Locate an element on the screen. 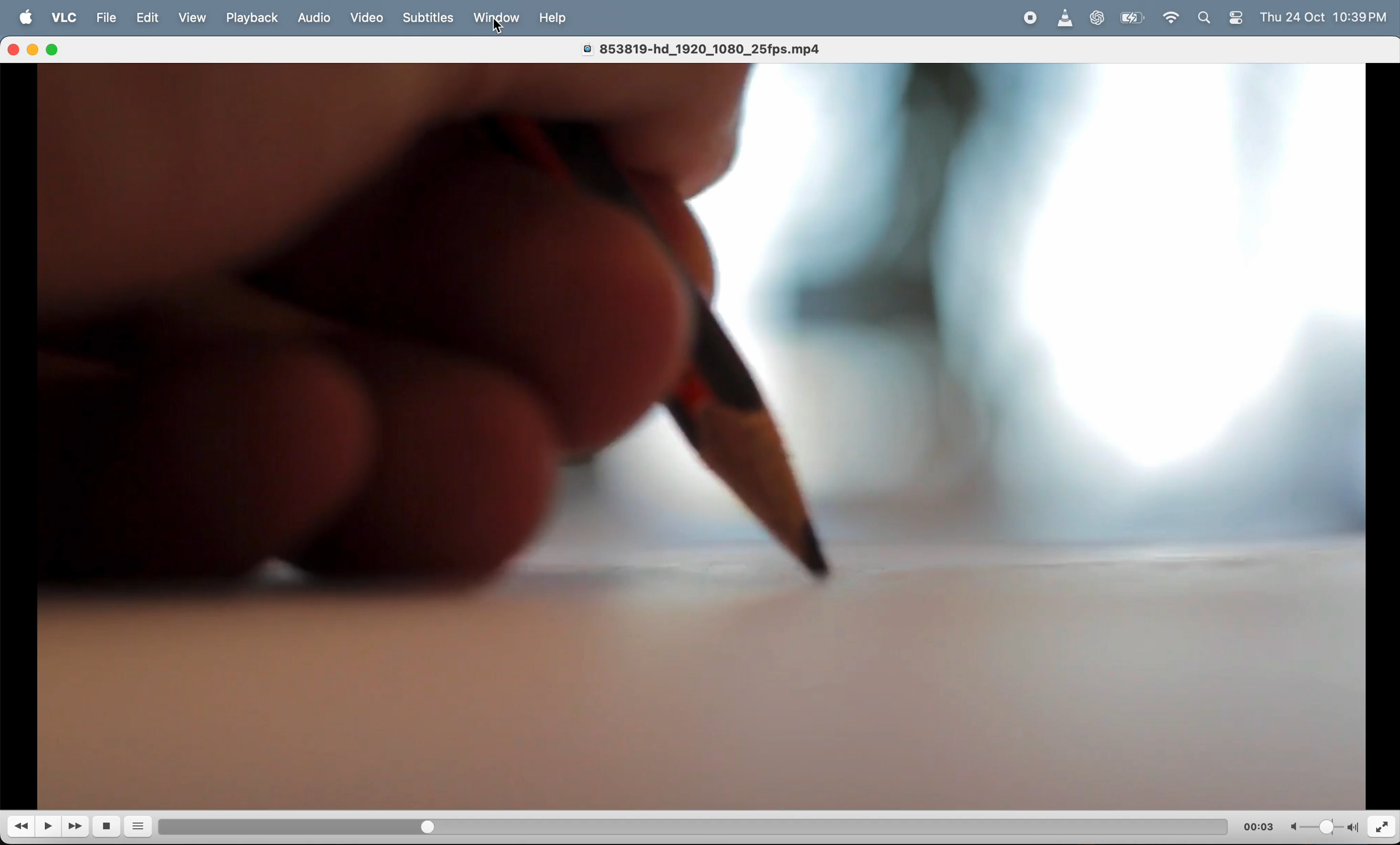 Image resolution: width=1400 pixels, height=845 pixels. minimize is located at coordinates (35, 51).